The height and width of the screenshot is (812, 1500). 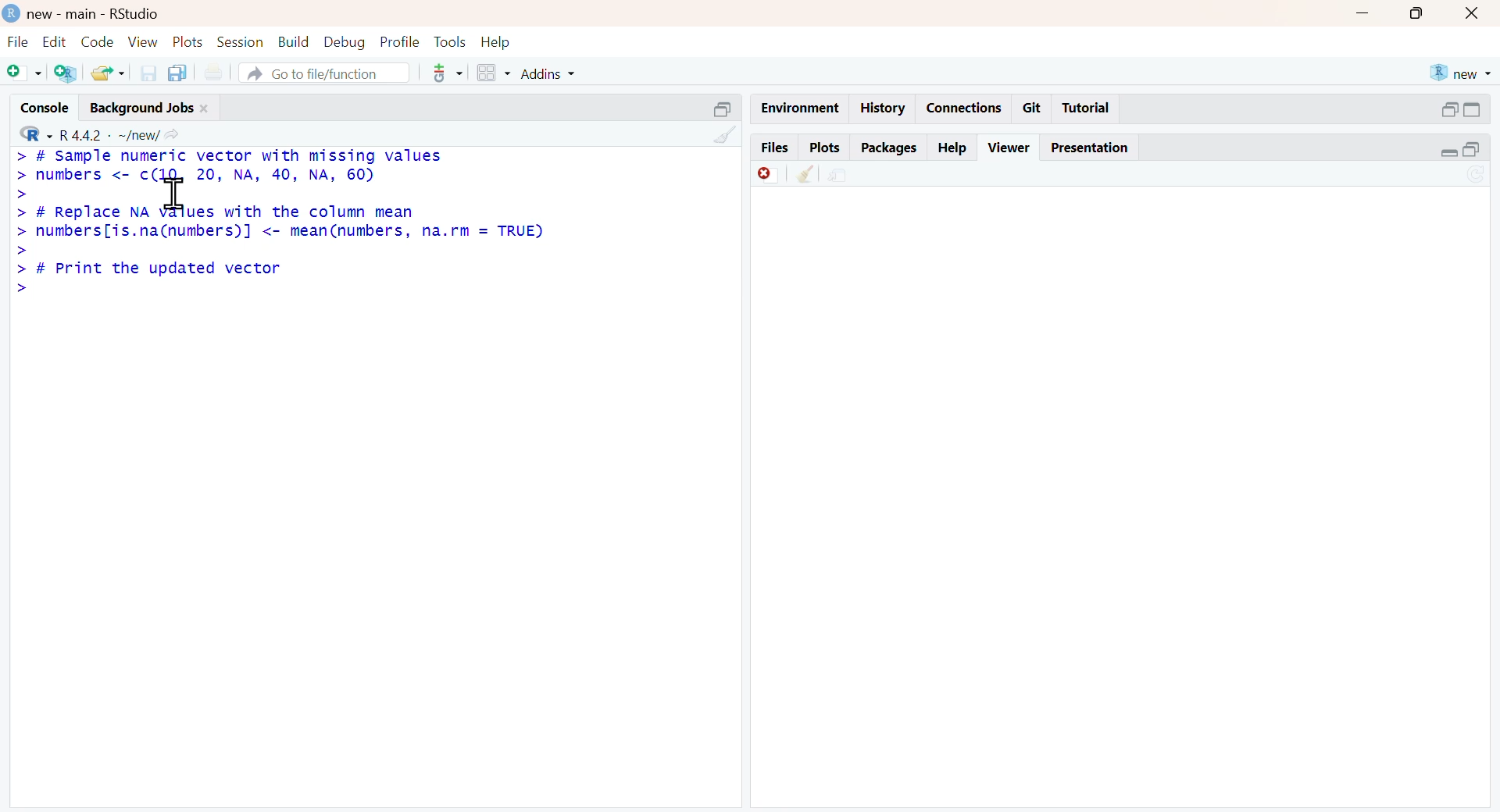 What do you see at coordinates (953, 149) in the screenshot?
I see `help` at bounding box center [953, 149].